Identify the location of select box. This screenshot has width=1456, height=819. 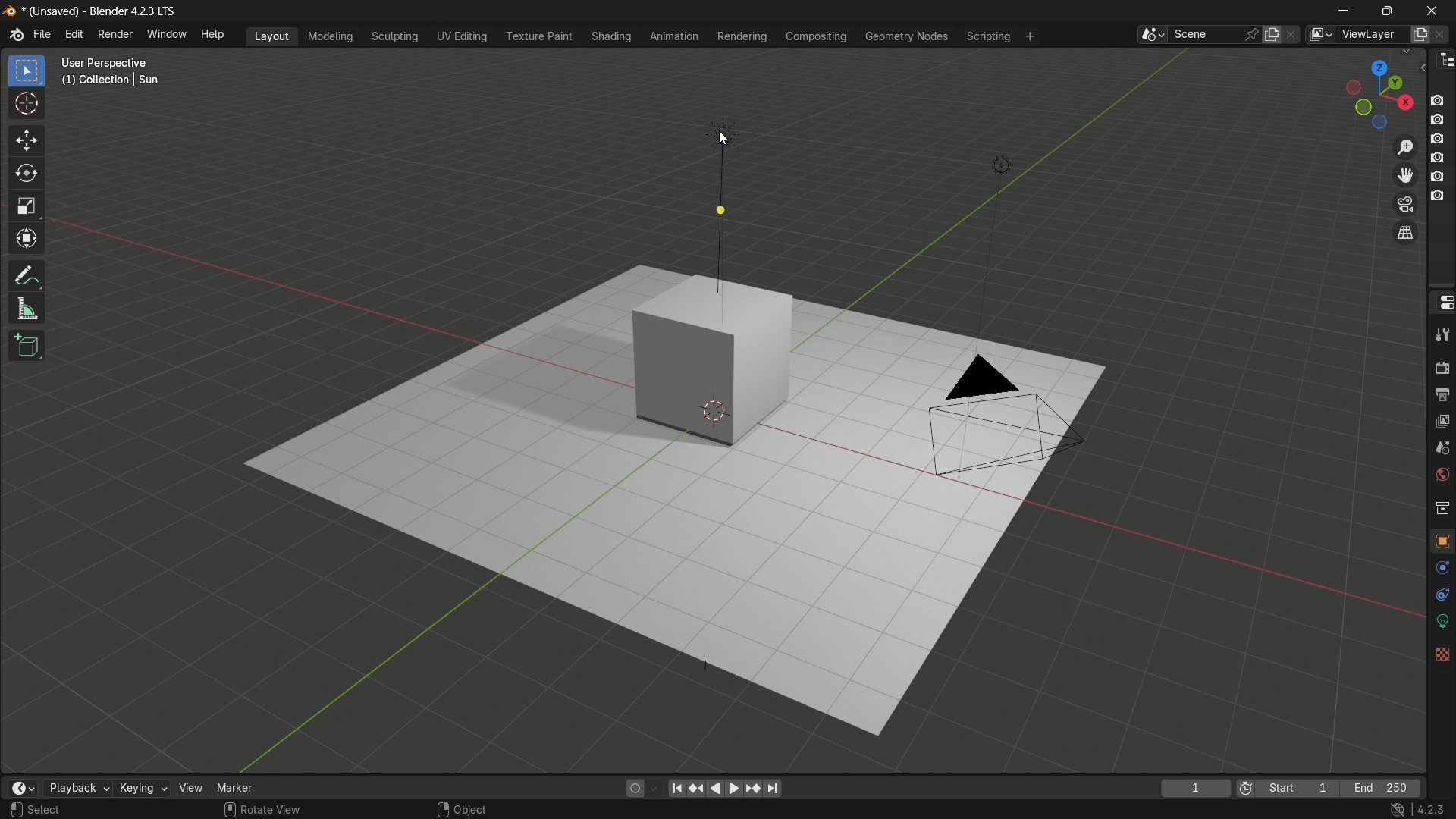
(27, 71).